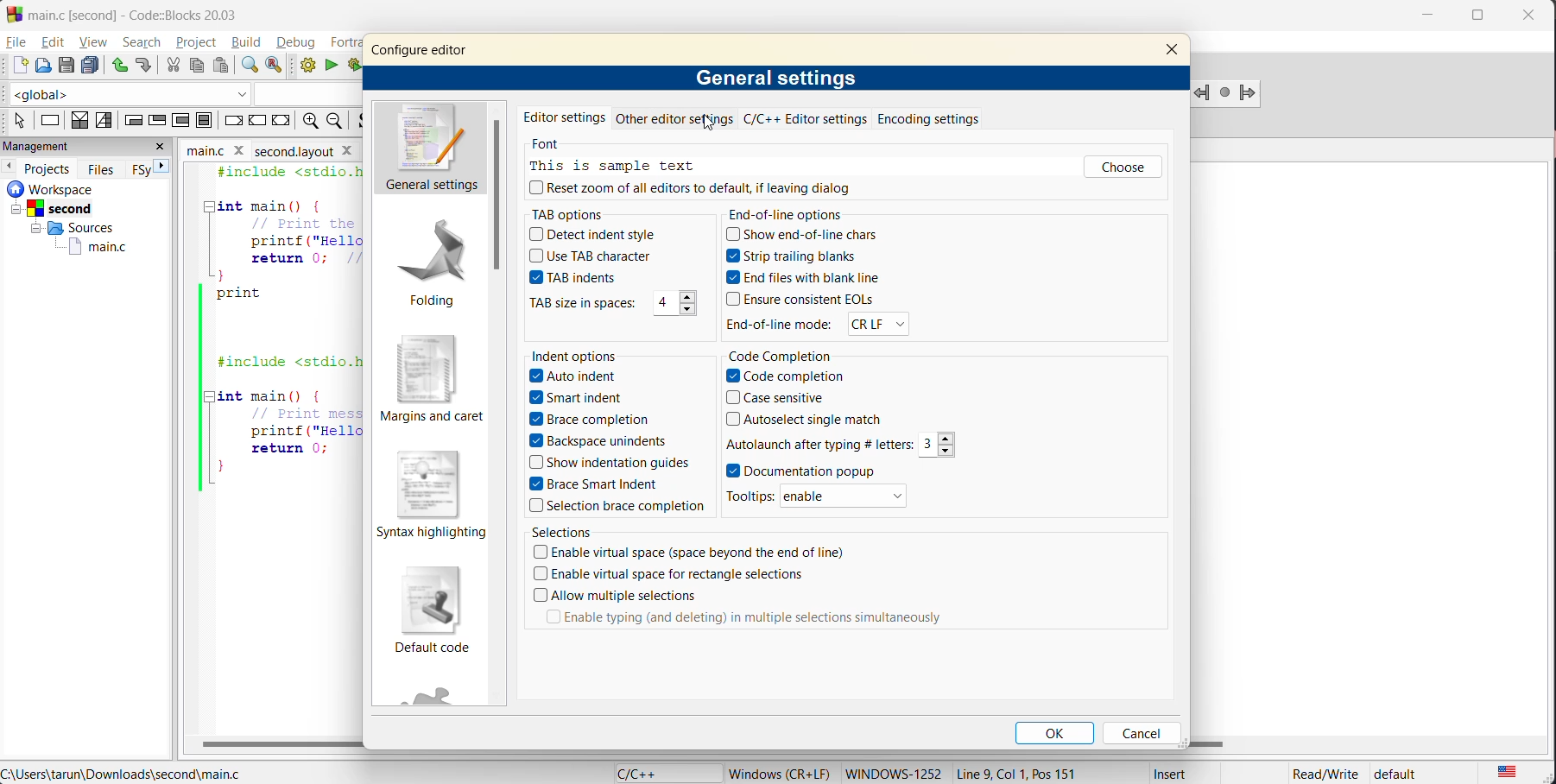 Image resolution: width=1556 pixels, height=784 pixels. I want to click on toggle source, so click(367, 123).